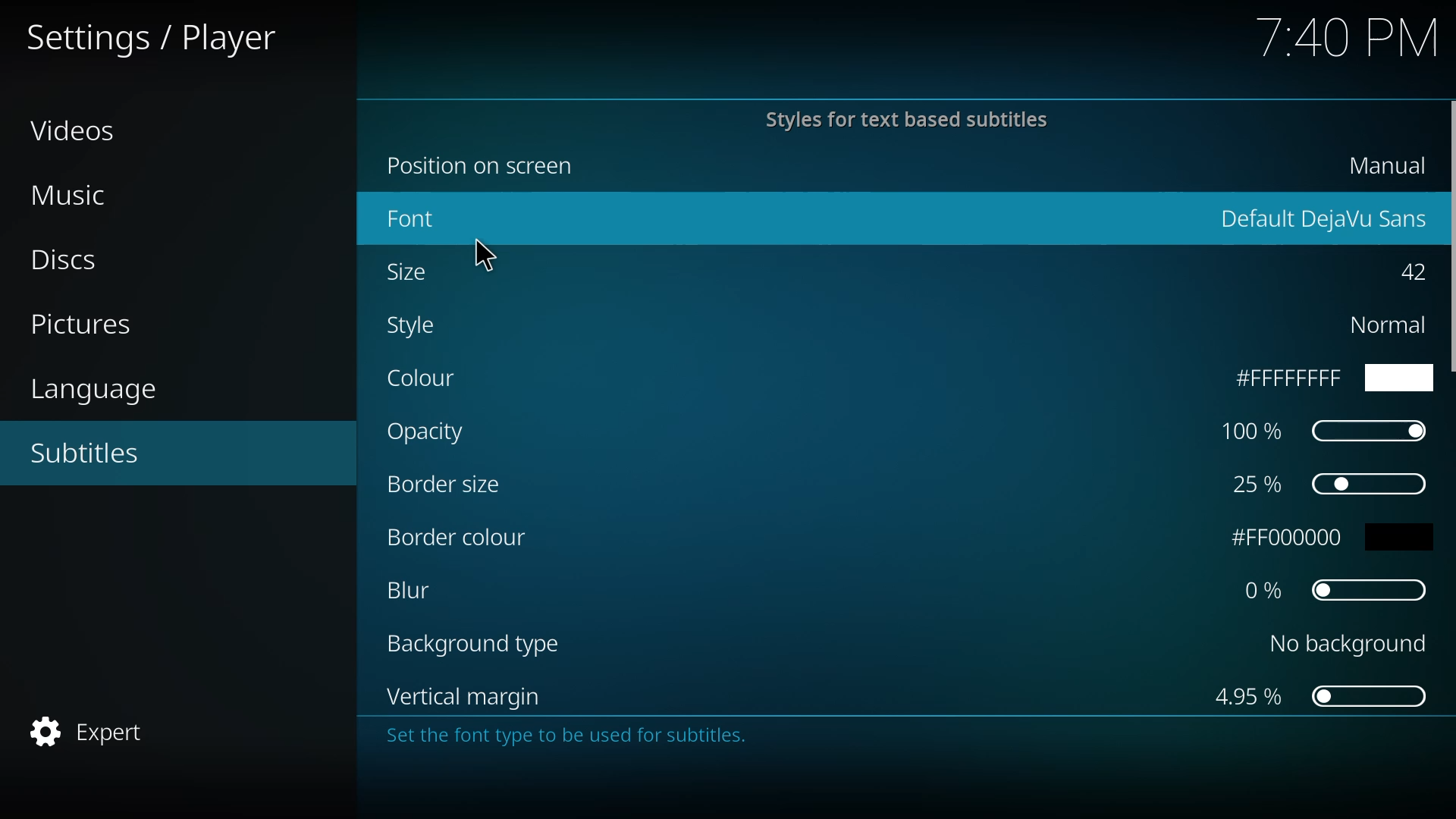 This screenshot has width=1456, height=819. I want to click on 100, so click(1322, 429).